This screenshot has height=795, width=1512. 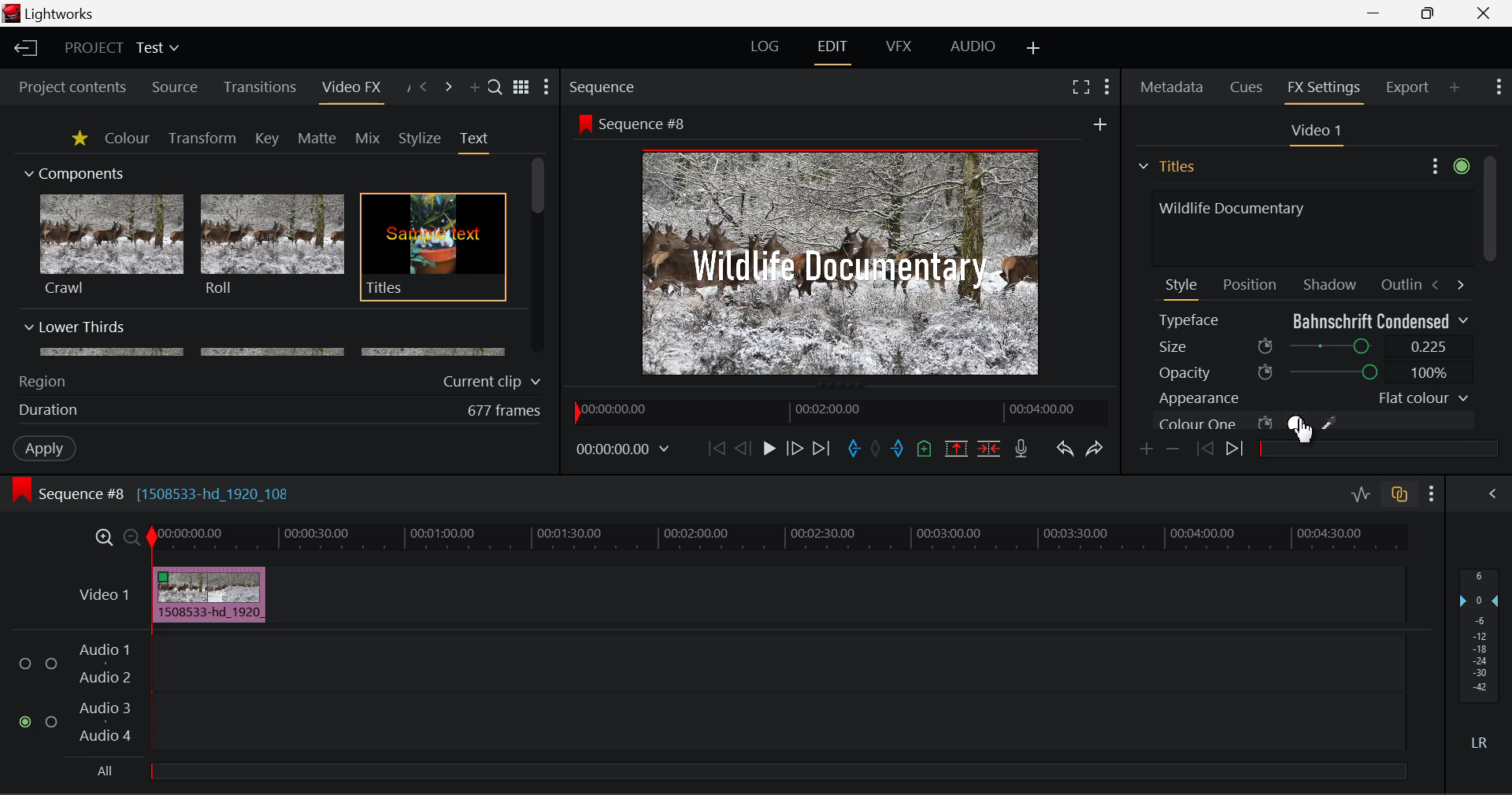 What do you see at coordinates (717, 449) in the screenshot?
I see `To Start` at bounding box center [717, 449].